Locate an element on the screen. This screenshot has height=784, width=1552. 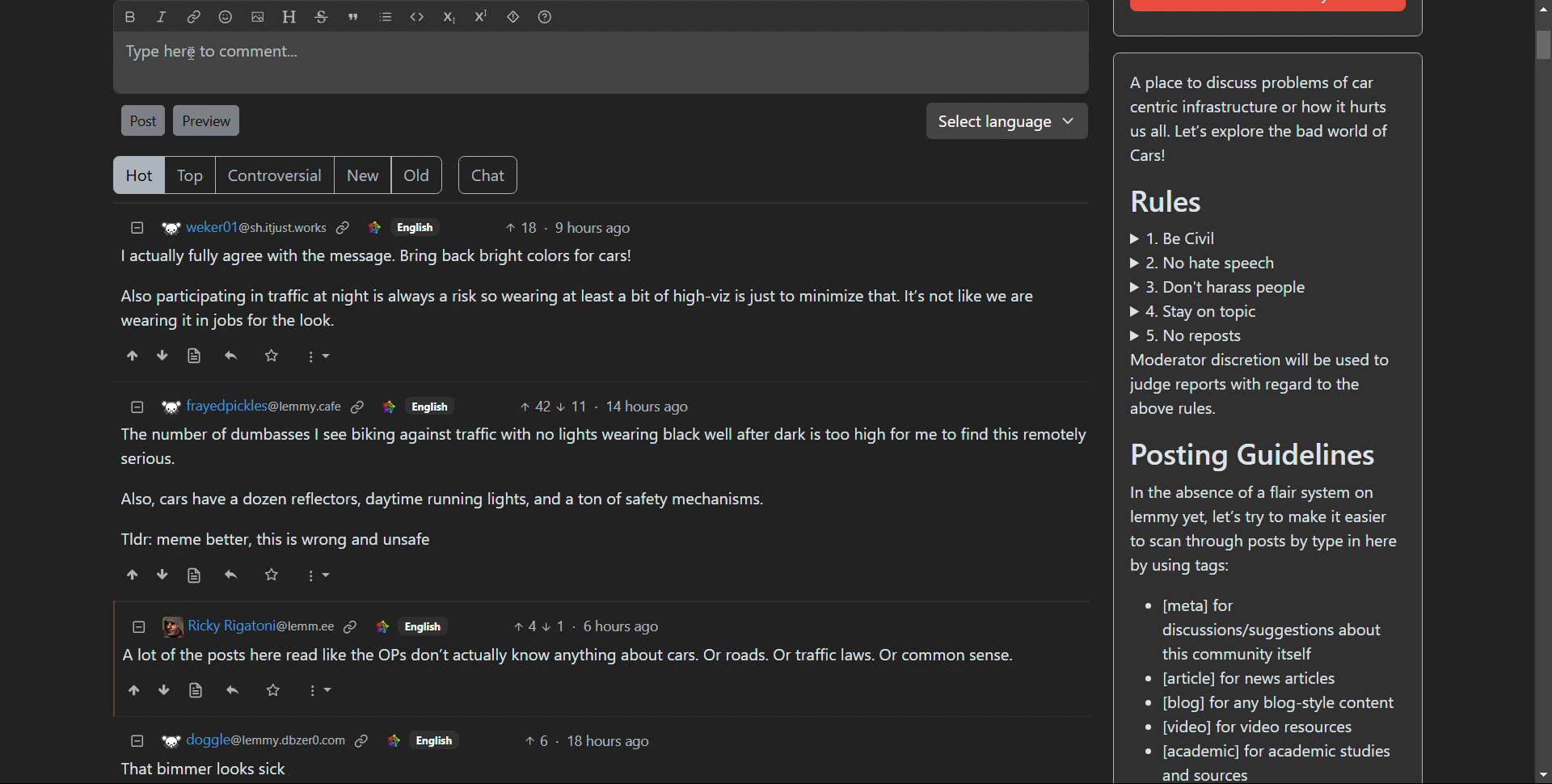
view source is located at coordinates (193, 356).